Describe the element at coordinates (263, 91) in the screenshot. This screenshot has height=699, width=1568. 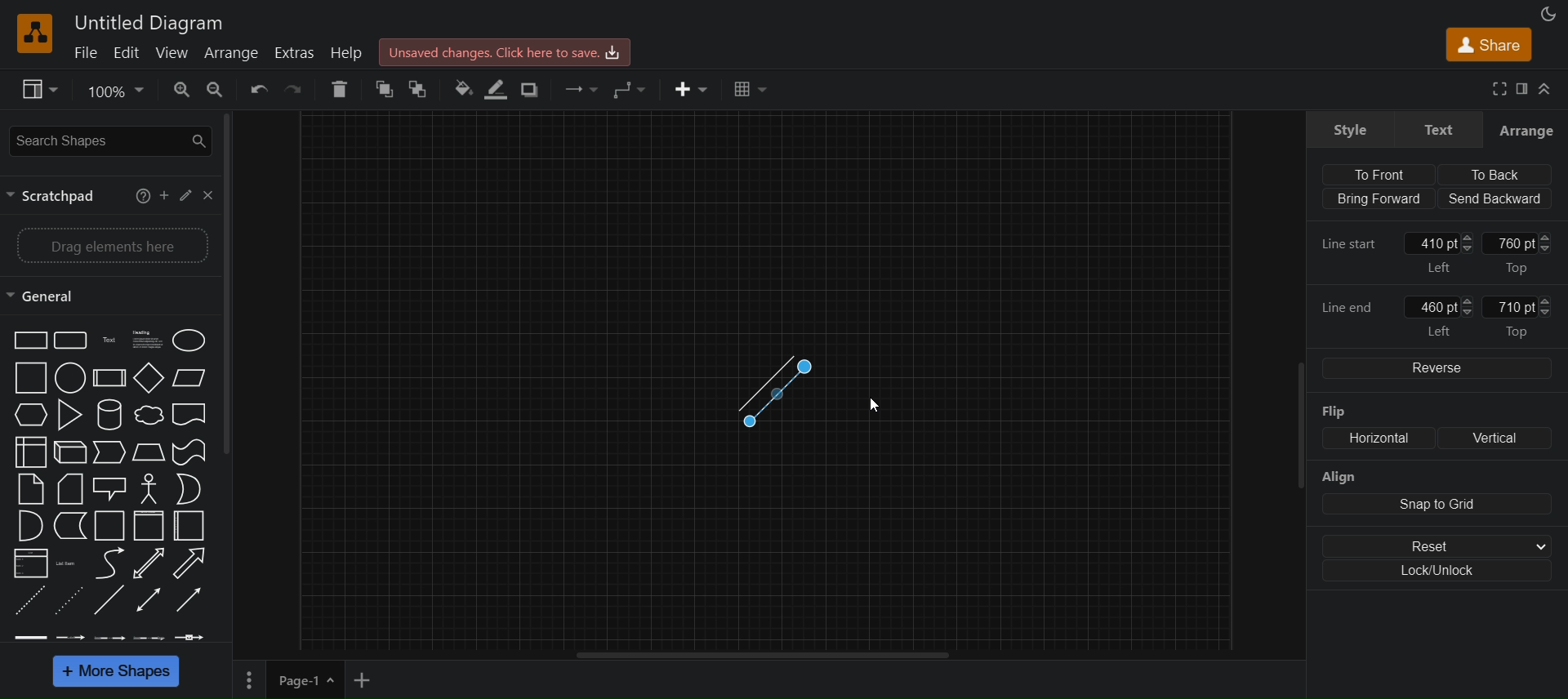
I see `undo` at that location.